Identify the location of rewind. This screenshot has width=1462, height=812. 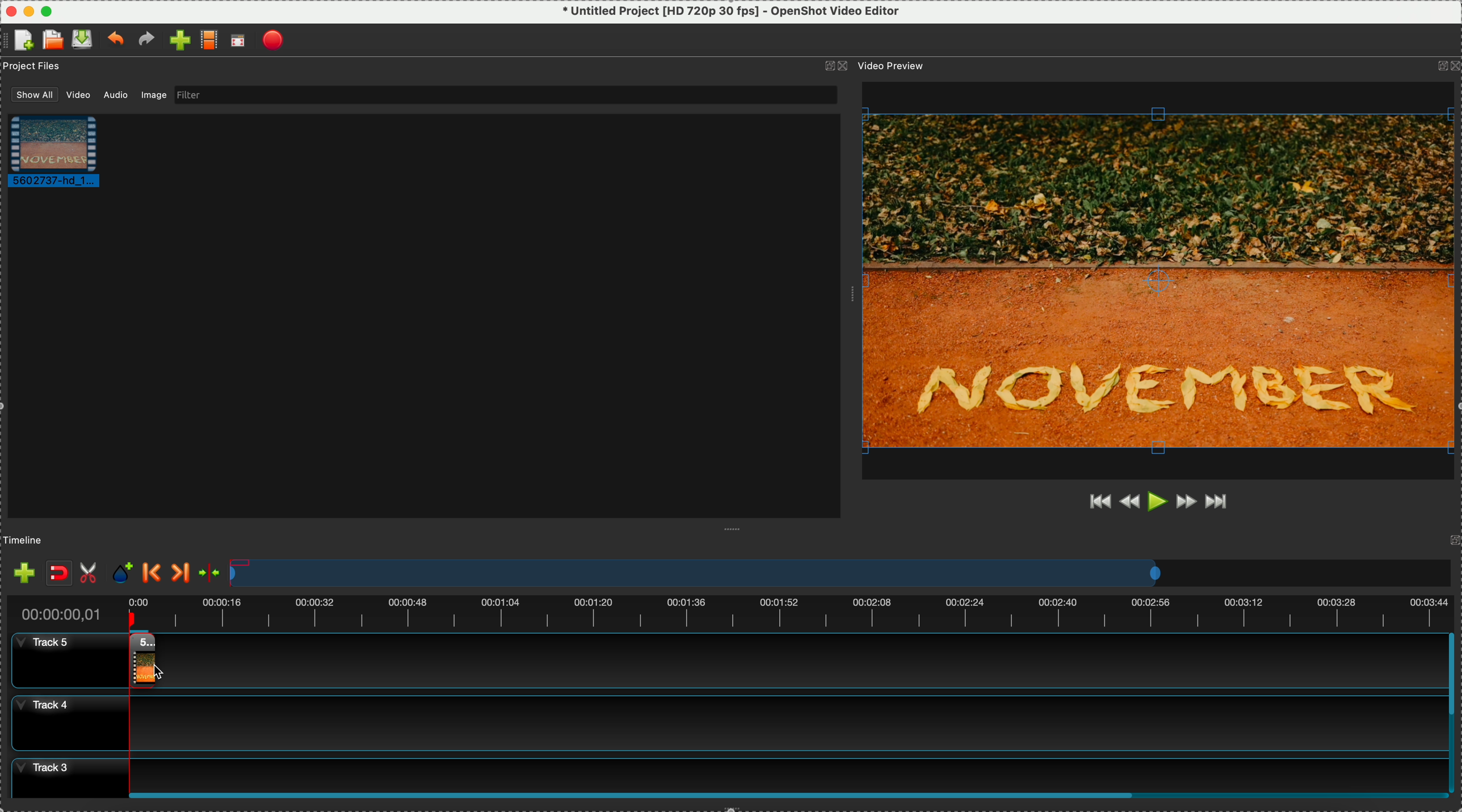
(1129, 504).